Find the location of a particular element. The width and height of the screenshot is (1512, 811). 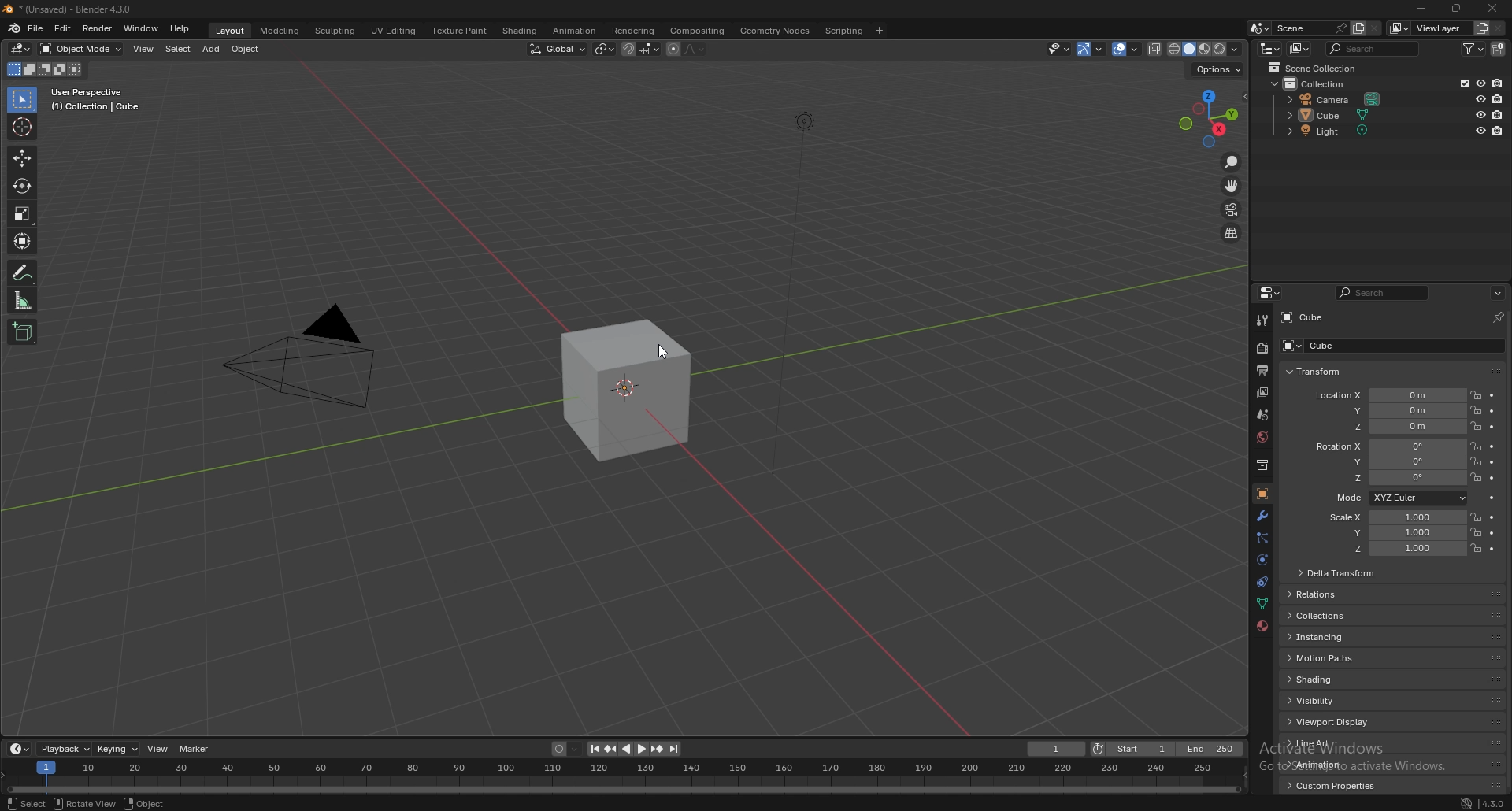

measure is located at coordinates (23, 301).